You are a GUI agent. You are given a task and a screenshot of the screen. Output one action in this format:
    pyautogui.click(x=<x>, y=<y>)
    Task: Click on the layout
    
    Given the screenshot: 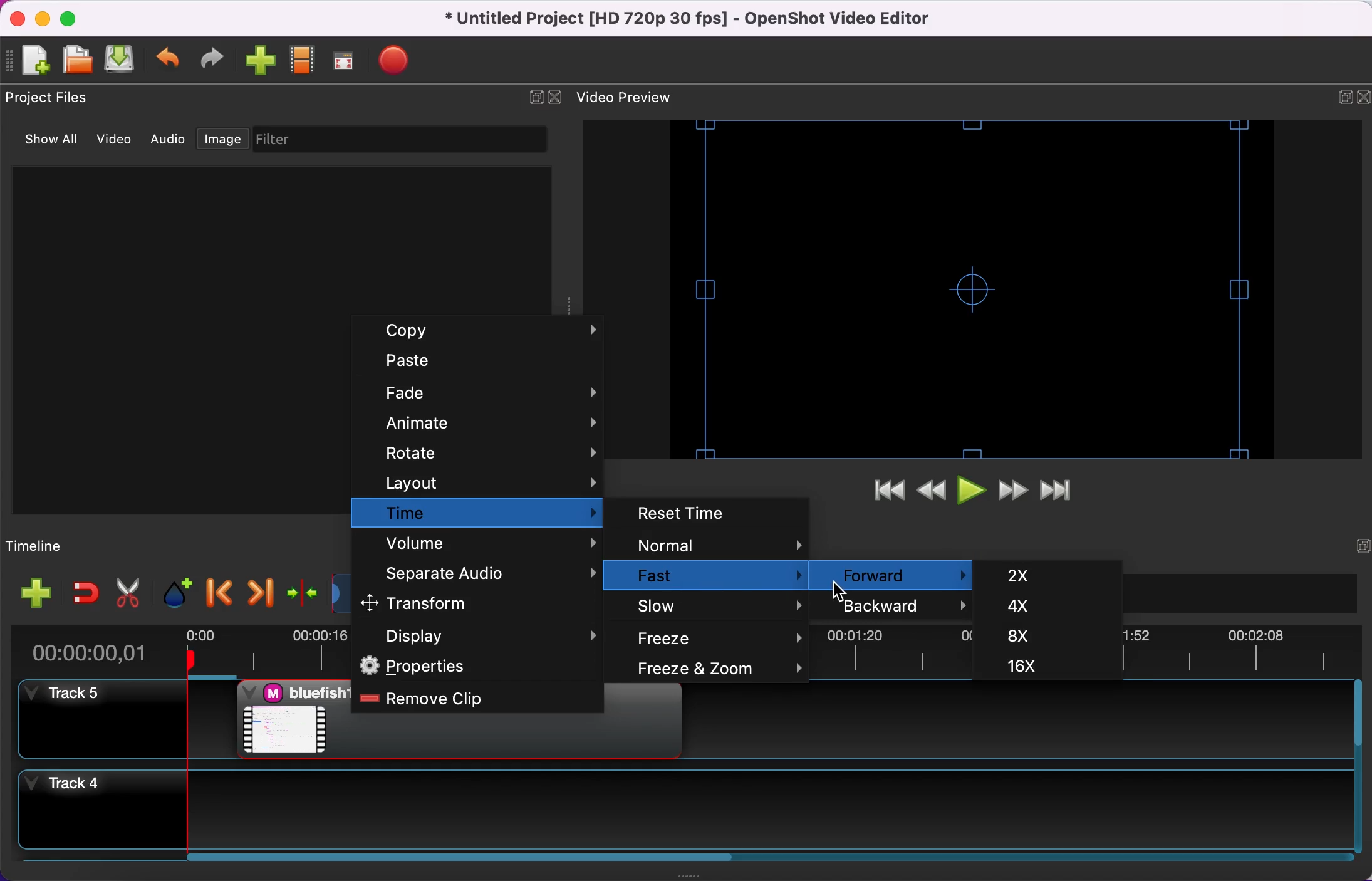 What is the action you would take?
    pyautogui.click(x=479, y=482)
    